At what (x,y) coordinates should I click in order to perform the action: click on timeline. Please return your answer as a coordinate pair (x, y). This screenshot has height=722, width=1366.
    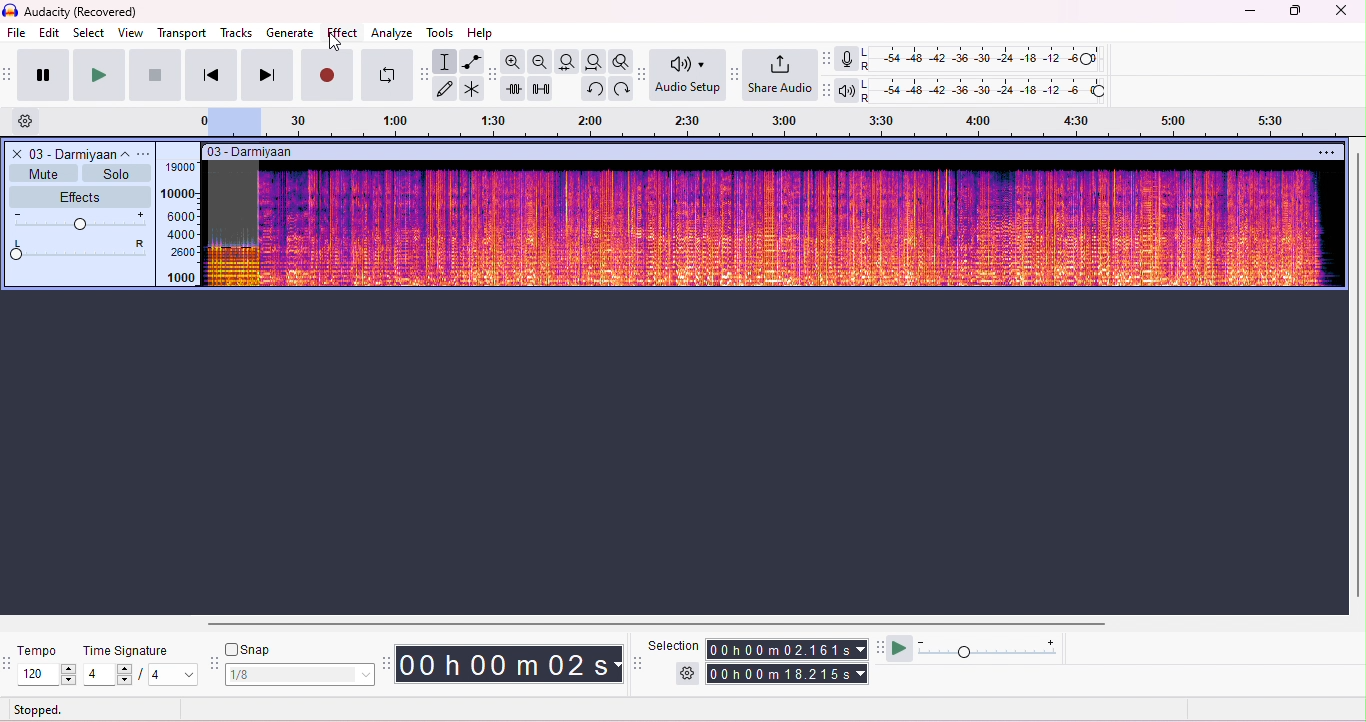
    Looking at the image, I should click on (767, 123).